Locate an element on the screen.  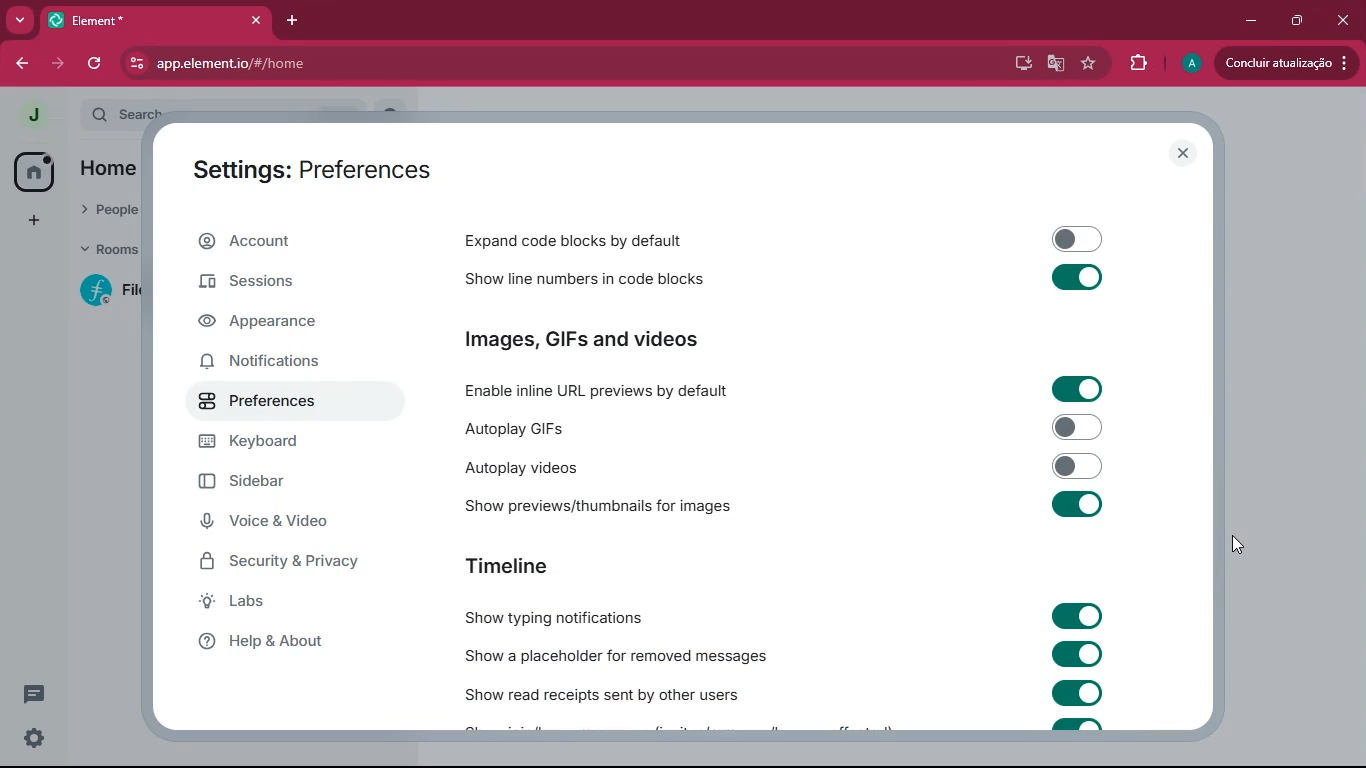
home is located at coordinates (32, 173).